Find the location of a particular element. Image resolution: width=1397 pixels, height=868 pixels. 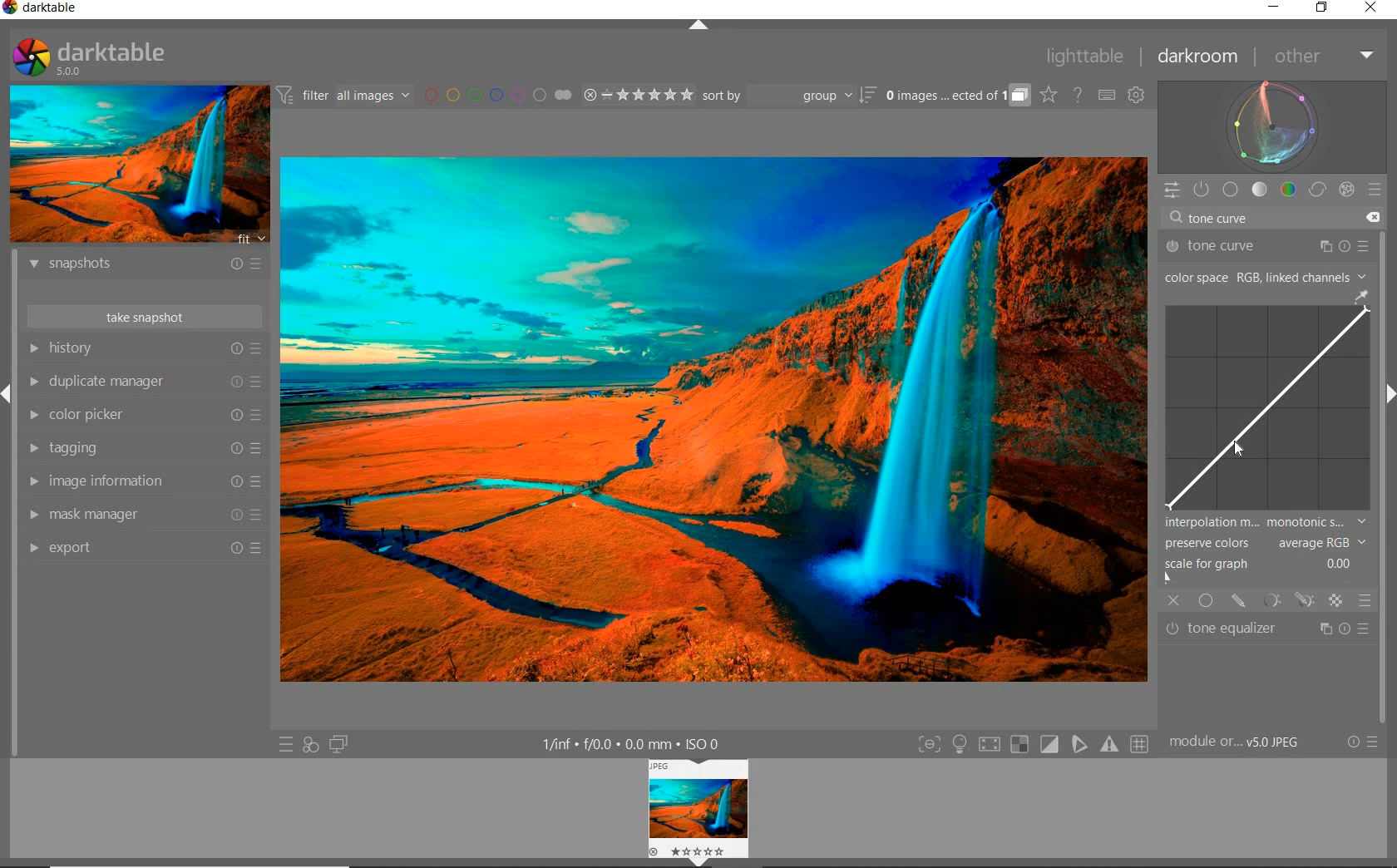

INTERPOLATION is located at coordinates (1266, 524).